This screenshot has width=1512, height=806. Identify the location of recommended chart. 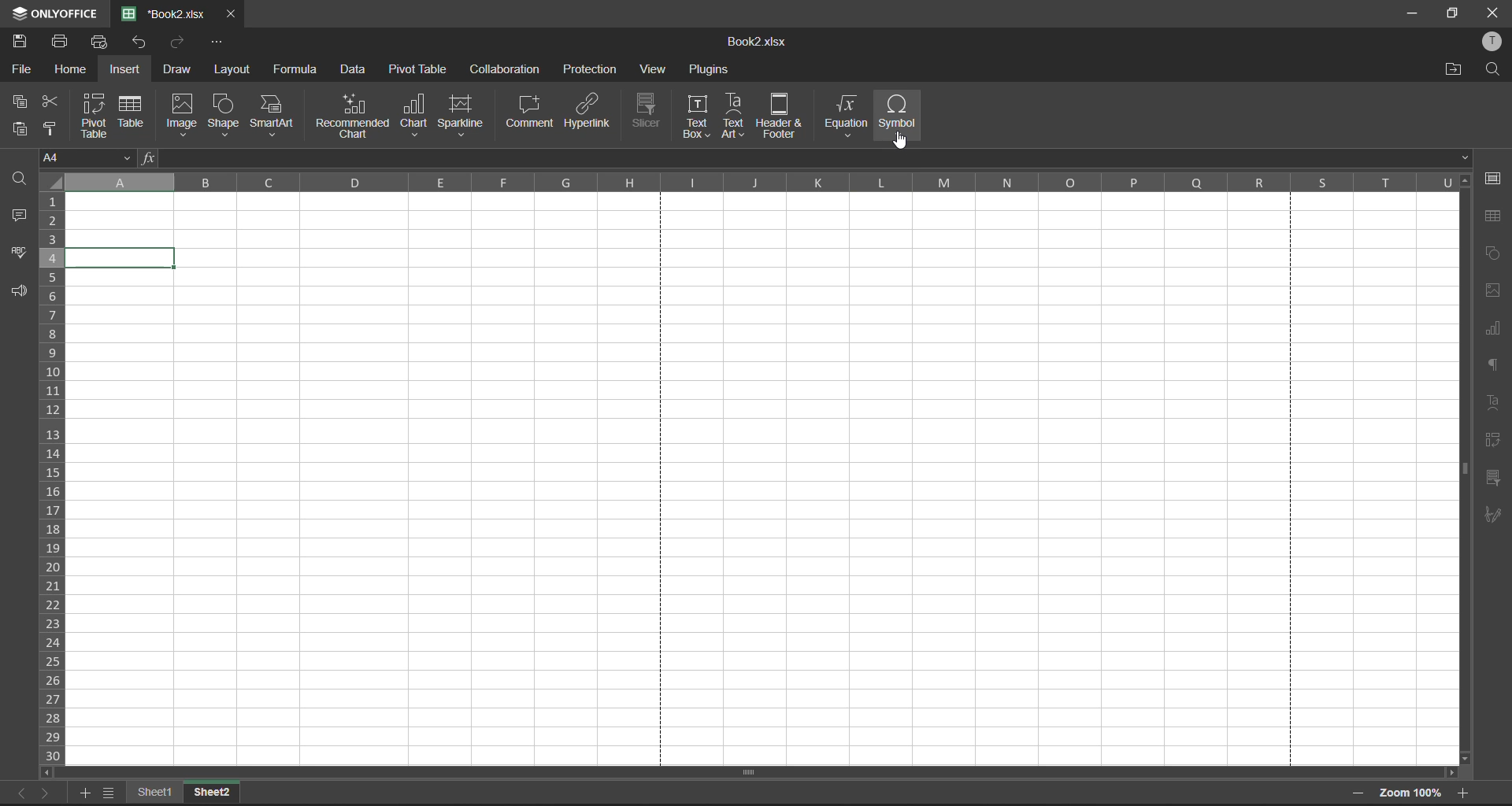
(353, 116).